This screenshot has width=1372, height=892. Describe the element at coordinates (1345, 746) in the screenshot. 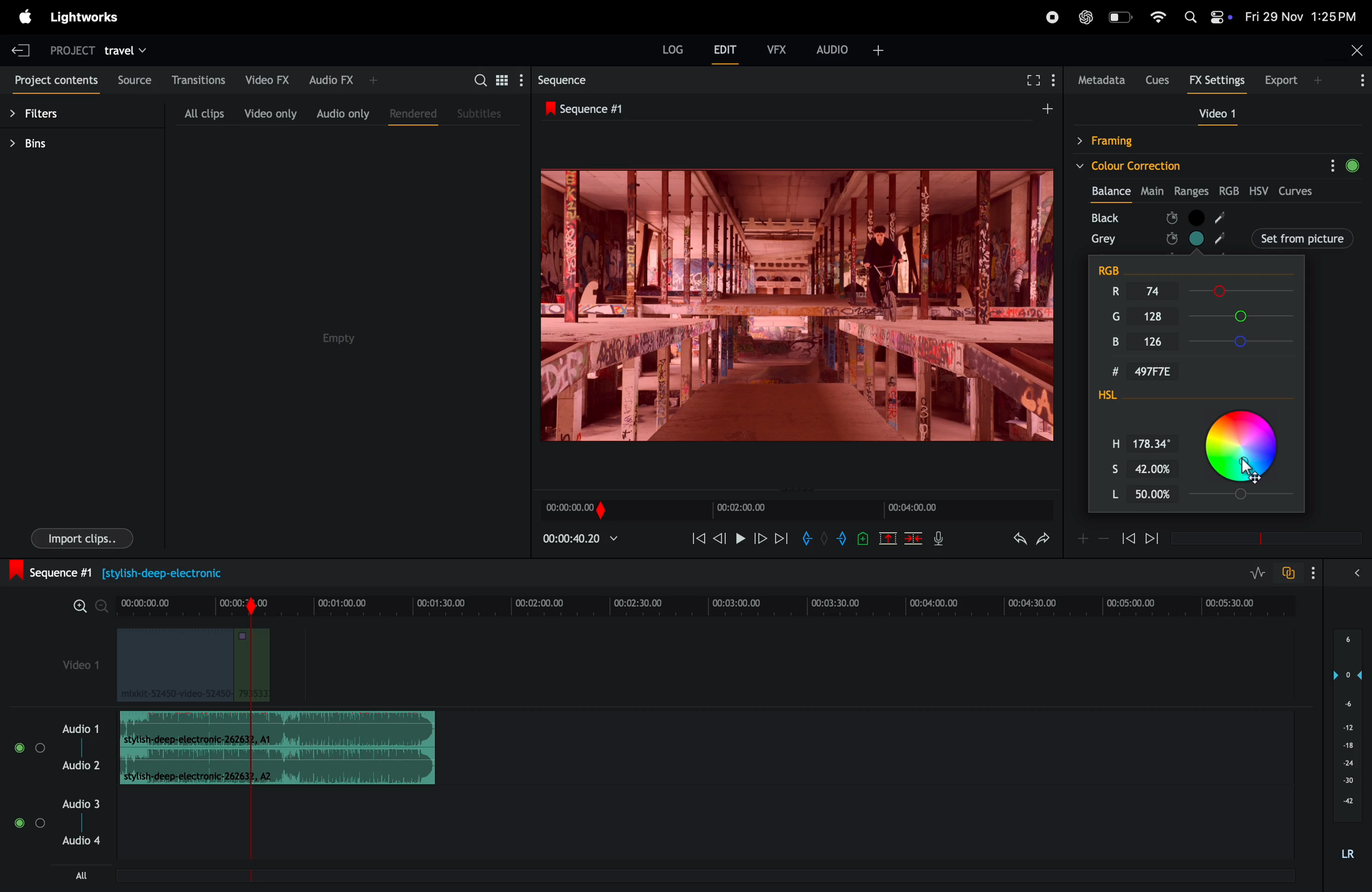

I see `audio pitch` at that location.